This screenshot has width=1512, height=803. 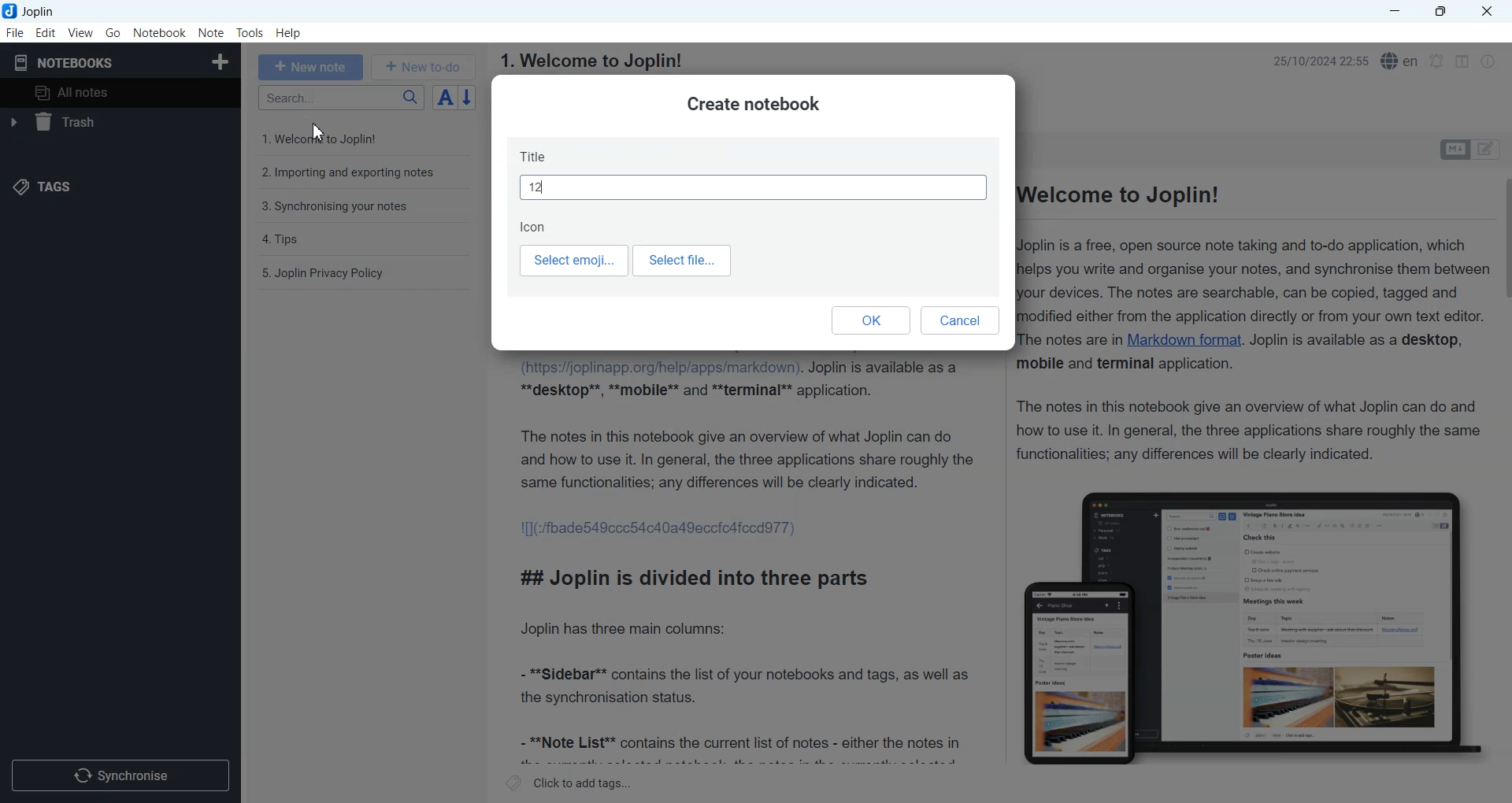 I want to click on Minimize, so click(x=1395, y=12).